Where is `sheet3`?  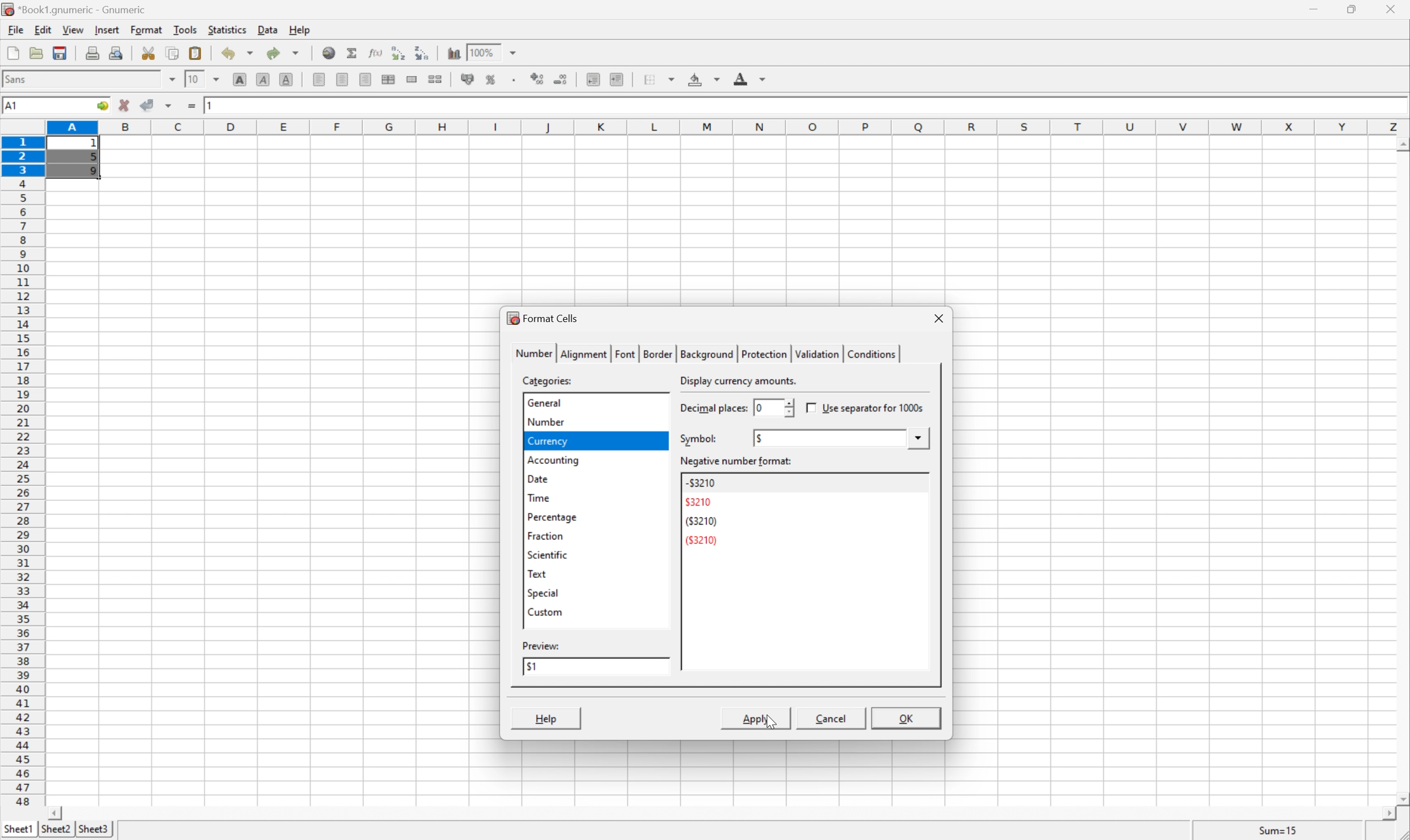
sheet3 is located at coordinates (93, 830).